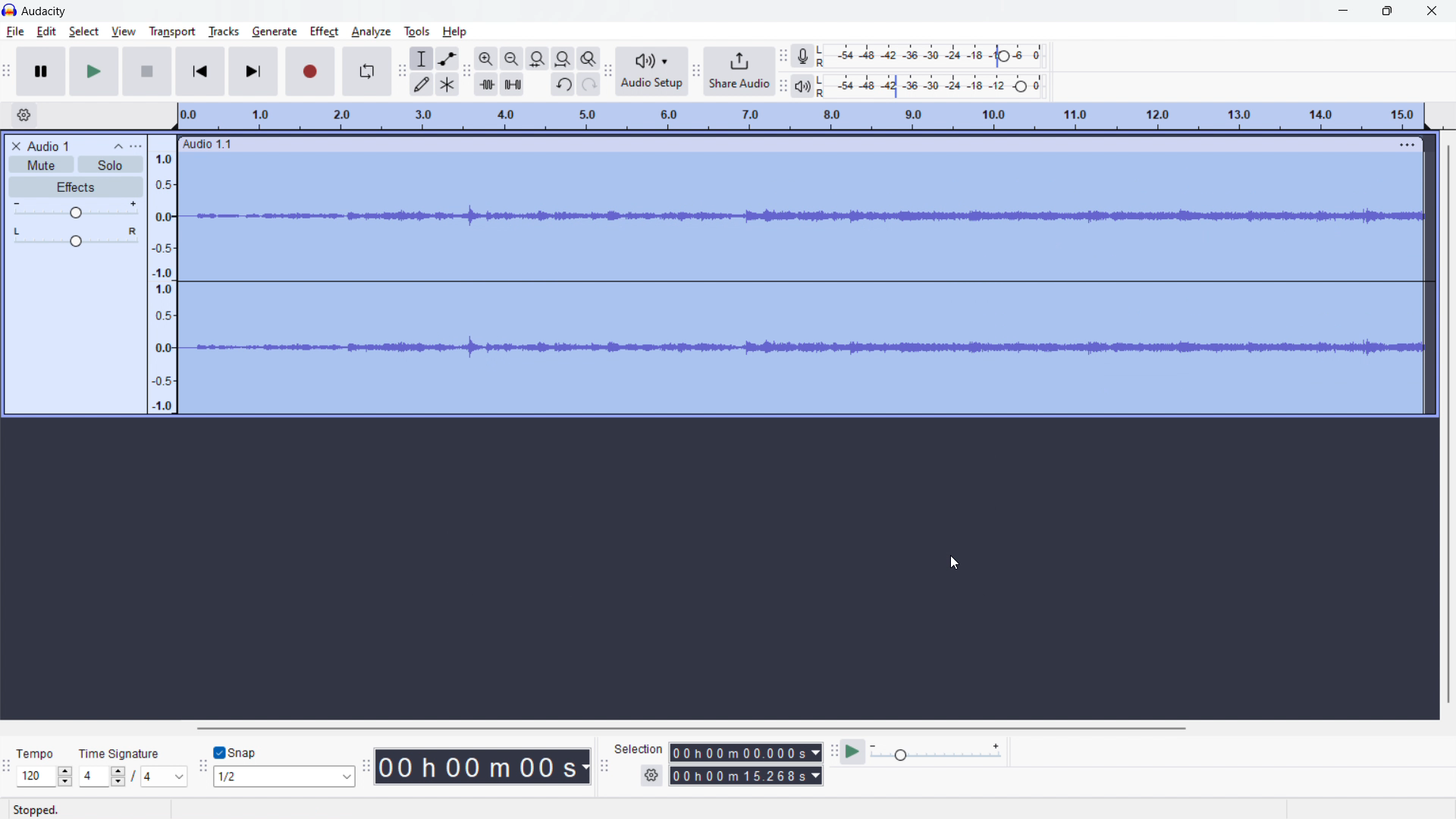  I want to click on maximize, so click(1388, 11).